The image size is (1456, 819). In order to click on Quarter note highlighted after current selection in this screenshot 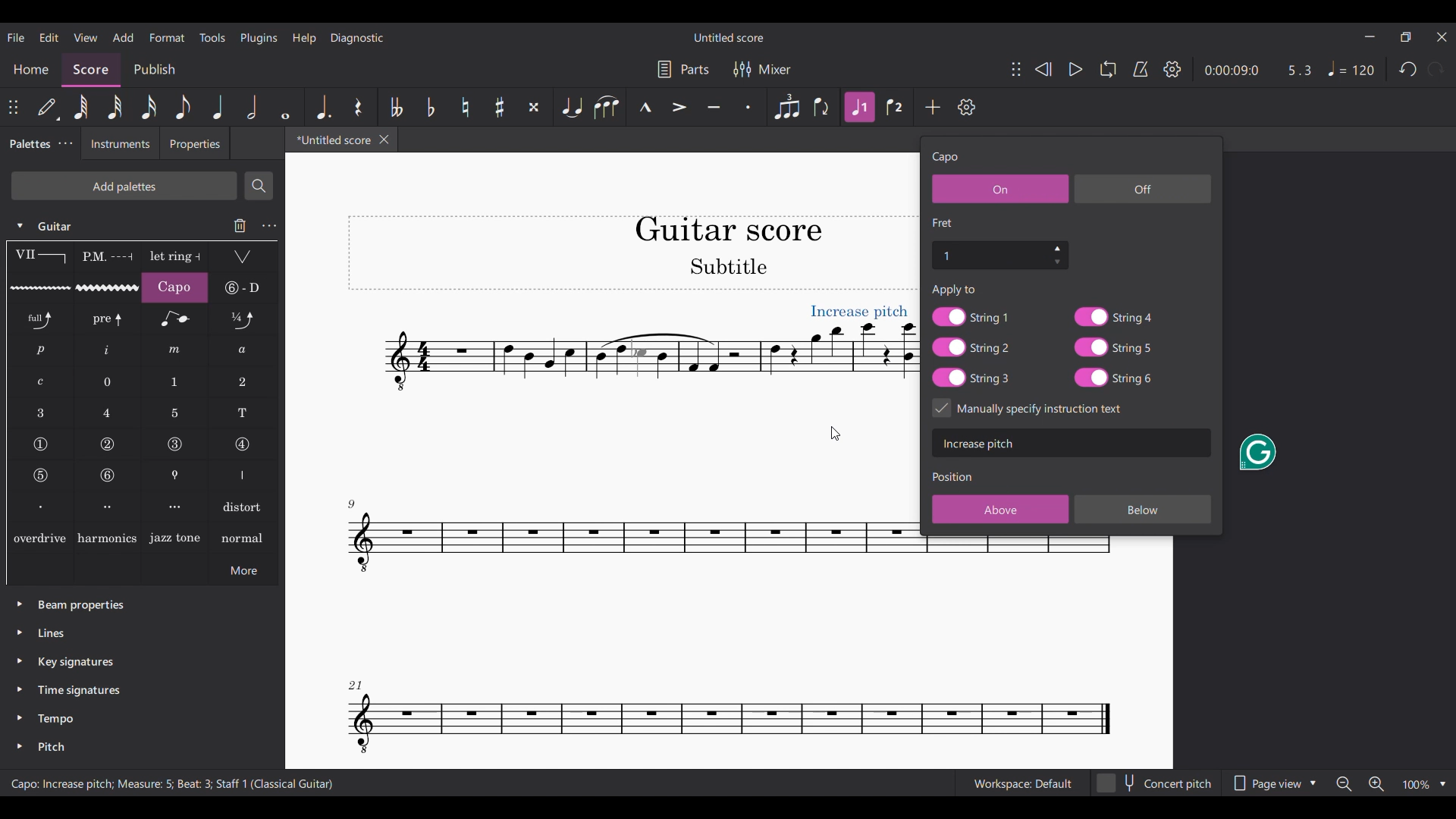, I will do `click(216, 106)`.